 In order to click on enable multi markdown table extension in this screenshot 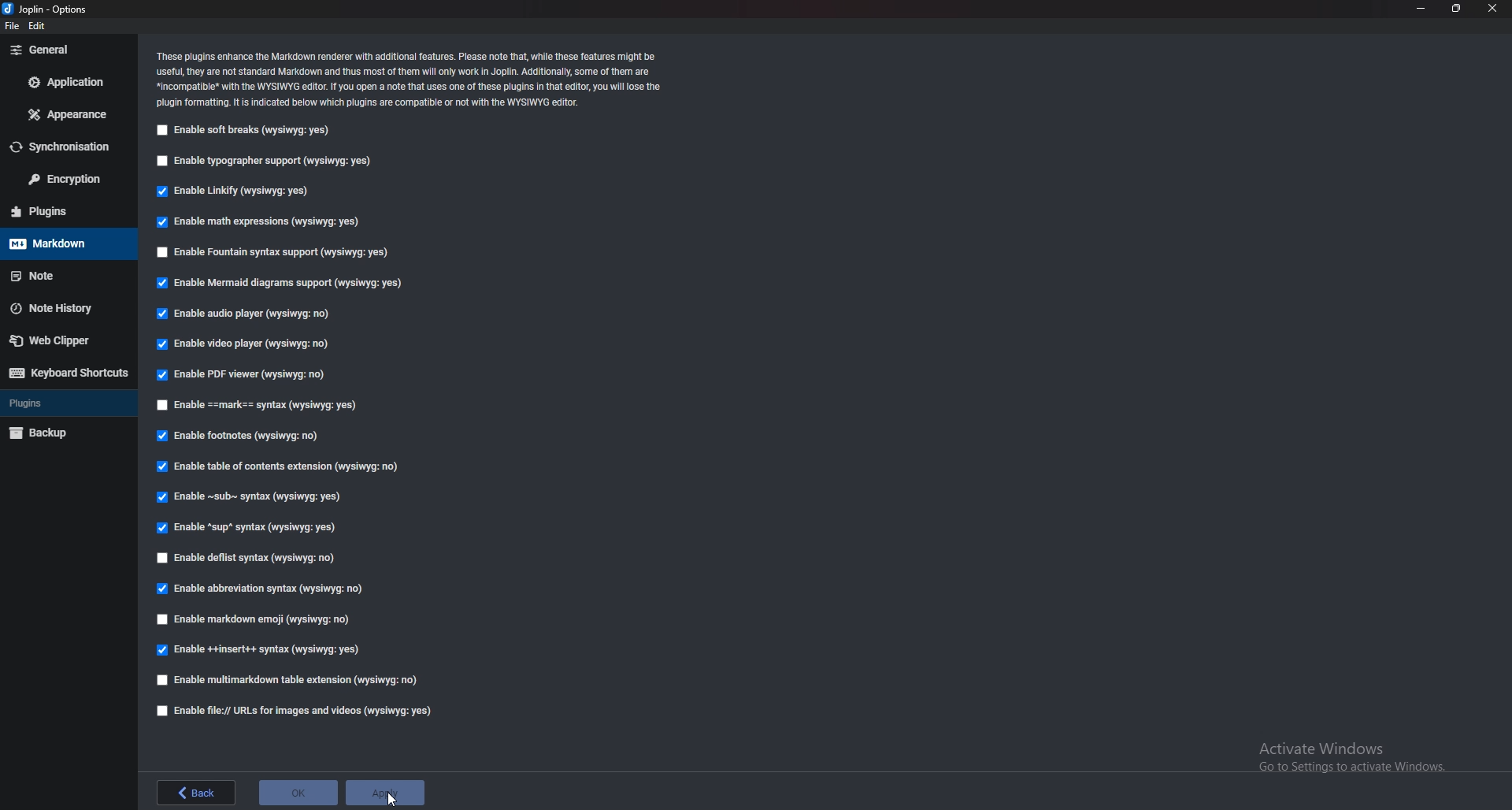, I will do `click(285, 681)`.